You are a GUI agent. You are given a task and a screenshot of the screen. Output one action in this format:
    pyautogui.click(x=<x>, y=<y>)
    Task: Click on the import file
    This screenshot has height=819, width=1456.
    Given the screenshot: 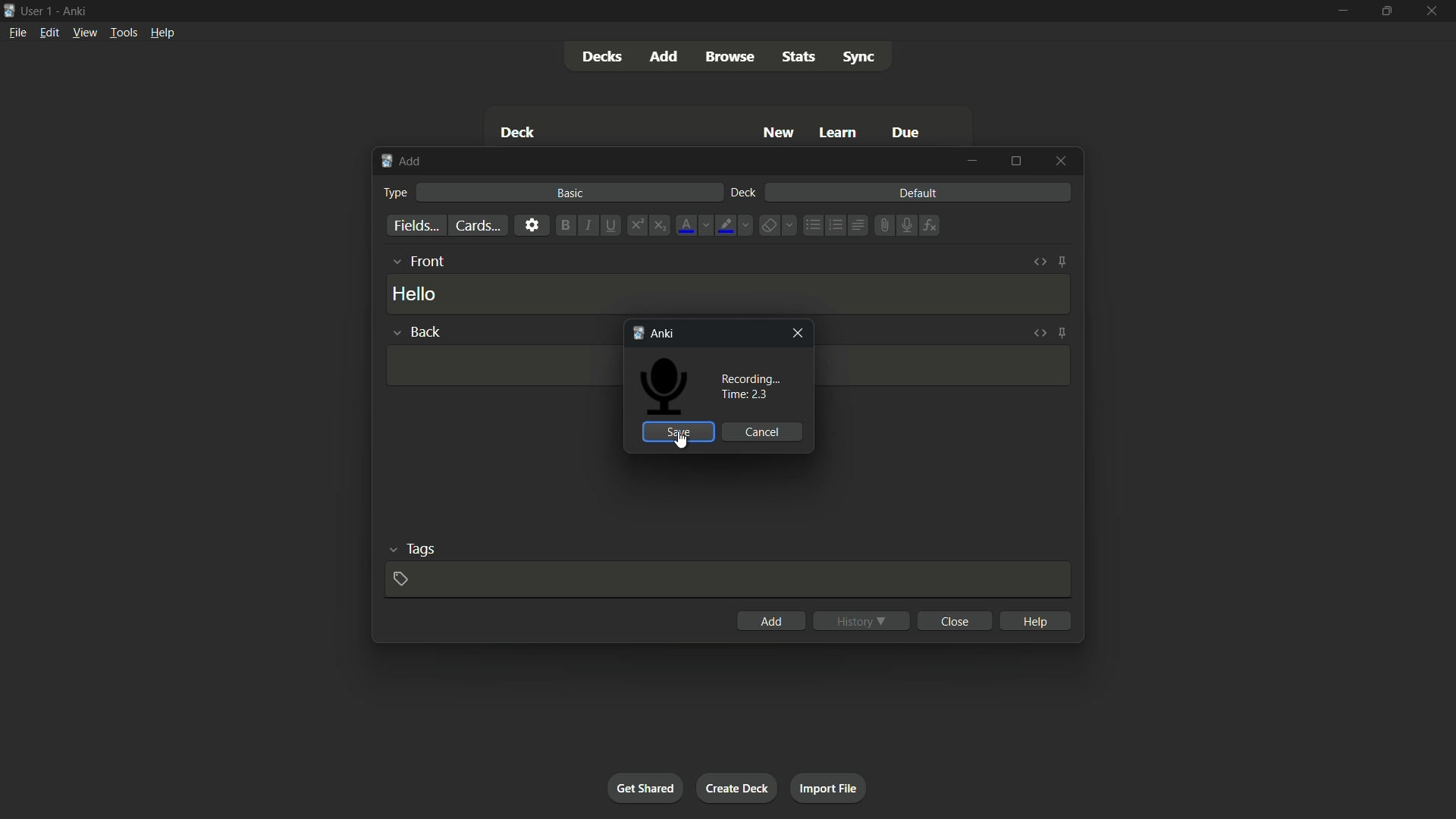 What is the action you would take?
    pyautogui.click(x=831, y=787)
    